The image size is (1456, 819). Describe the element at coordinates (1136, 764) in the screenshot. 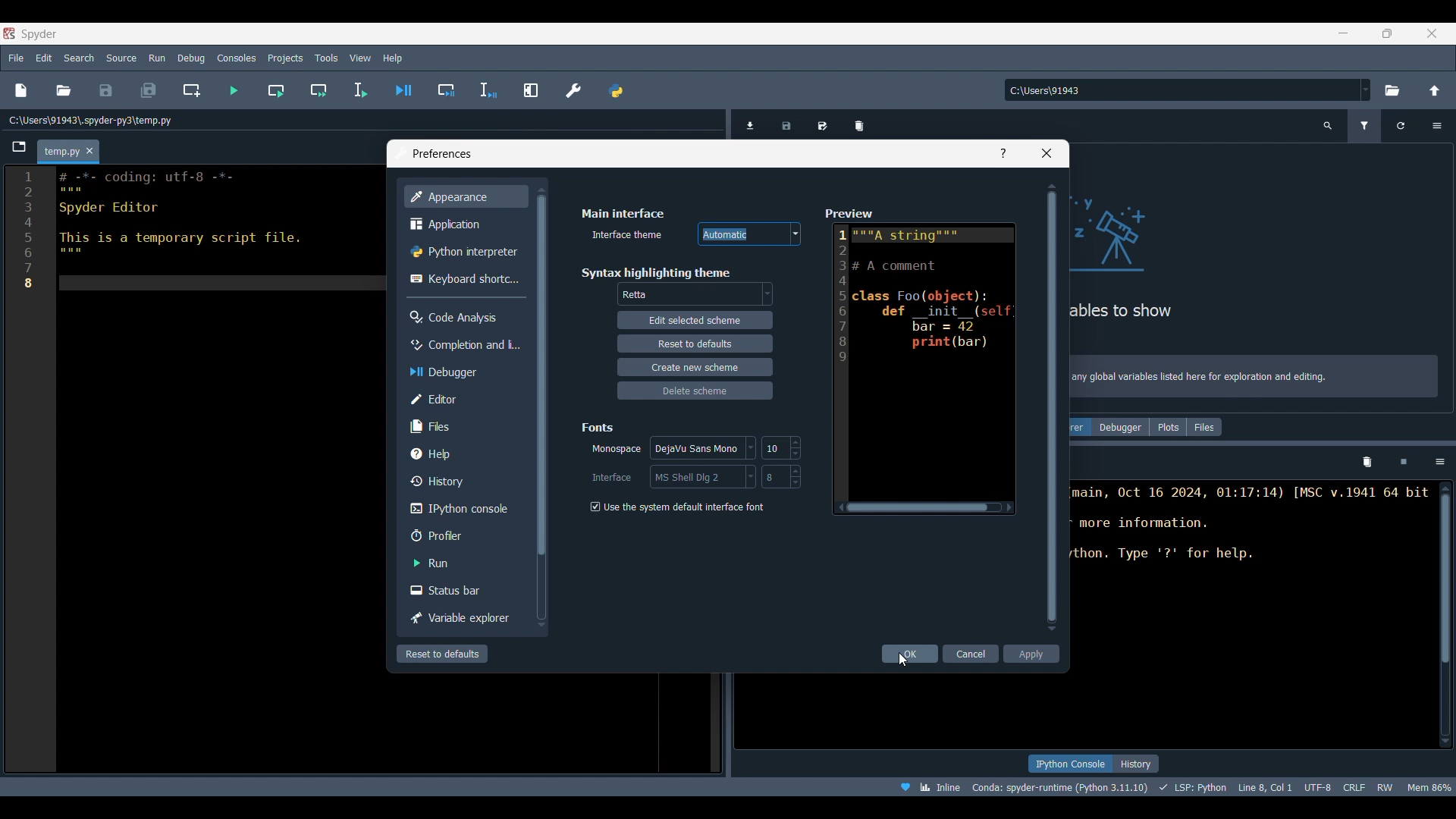

I see `History` at that location.